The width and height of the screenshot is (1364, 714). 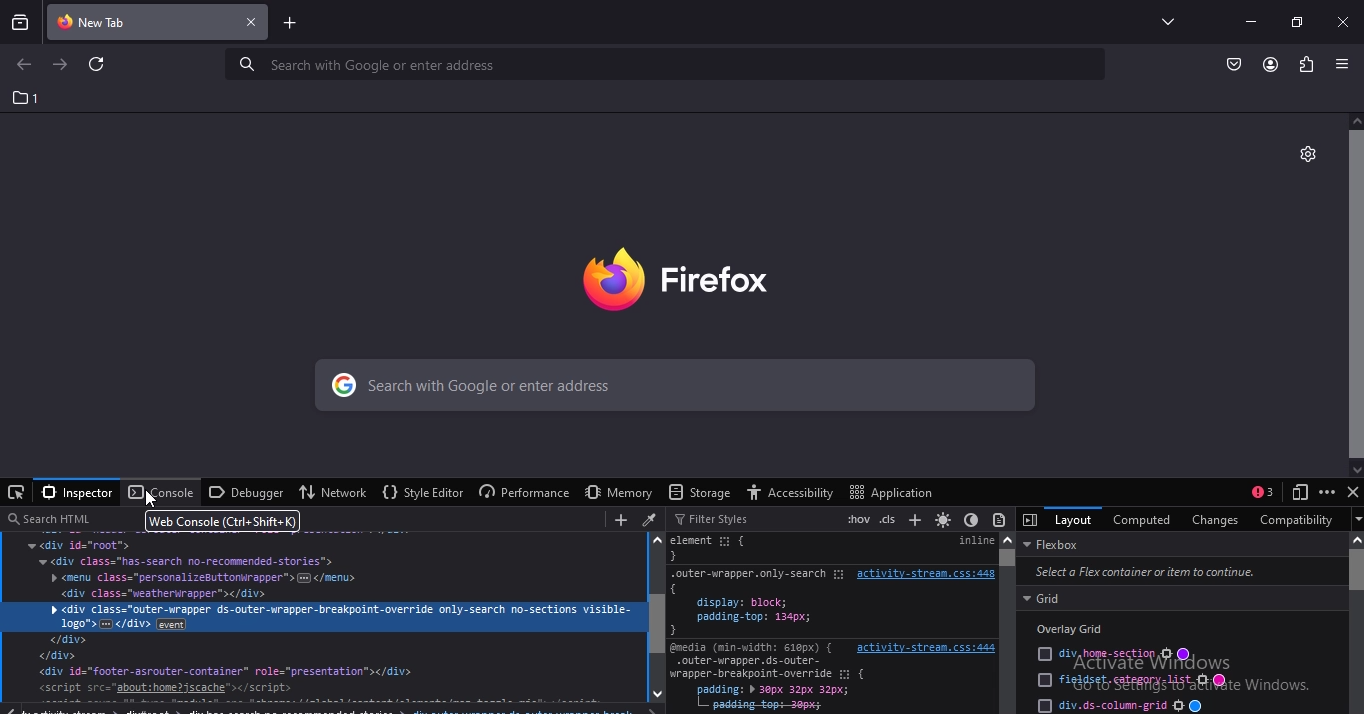 What do you see at coordinates (223, 521) in the screenshot?
I see `web console (ctrl+shift+k)` at bounding box center [223, 521].